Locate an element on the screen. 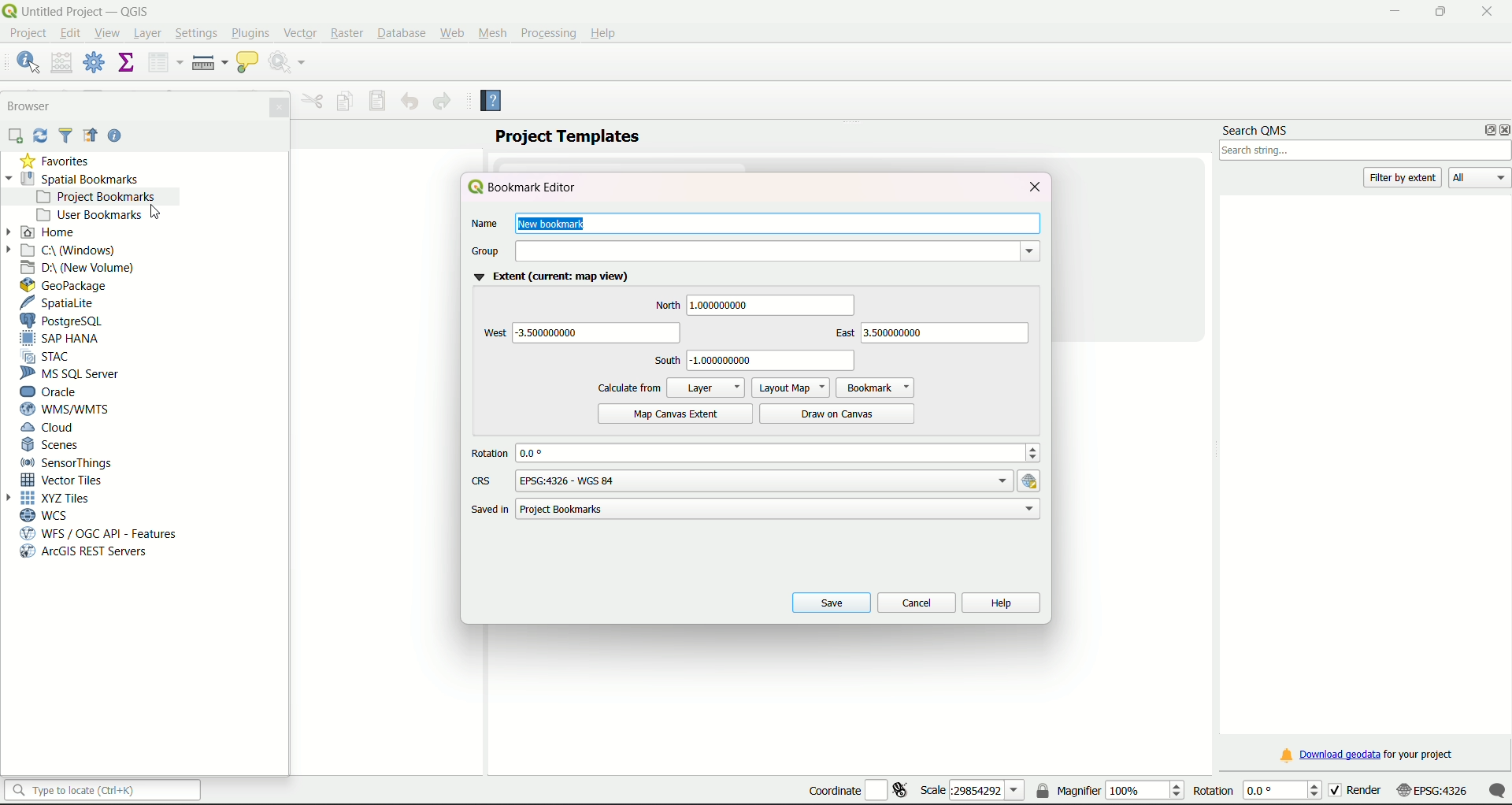 The image size is (1512, 805). Layout Map is located at coordinates (791, 388).